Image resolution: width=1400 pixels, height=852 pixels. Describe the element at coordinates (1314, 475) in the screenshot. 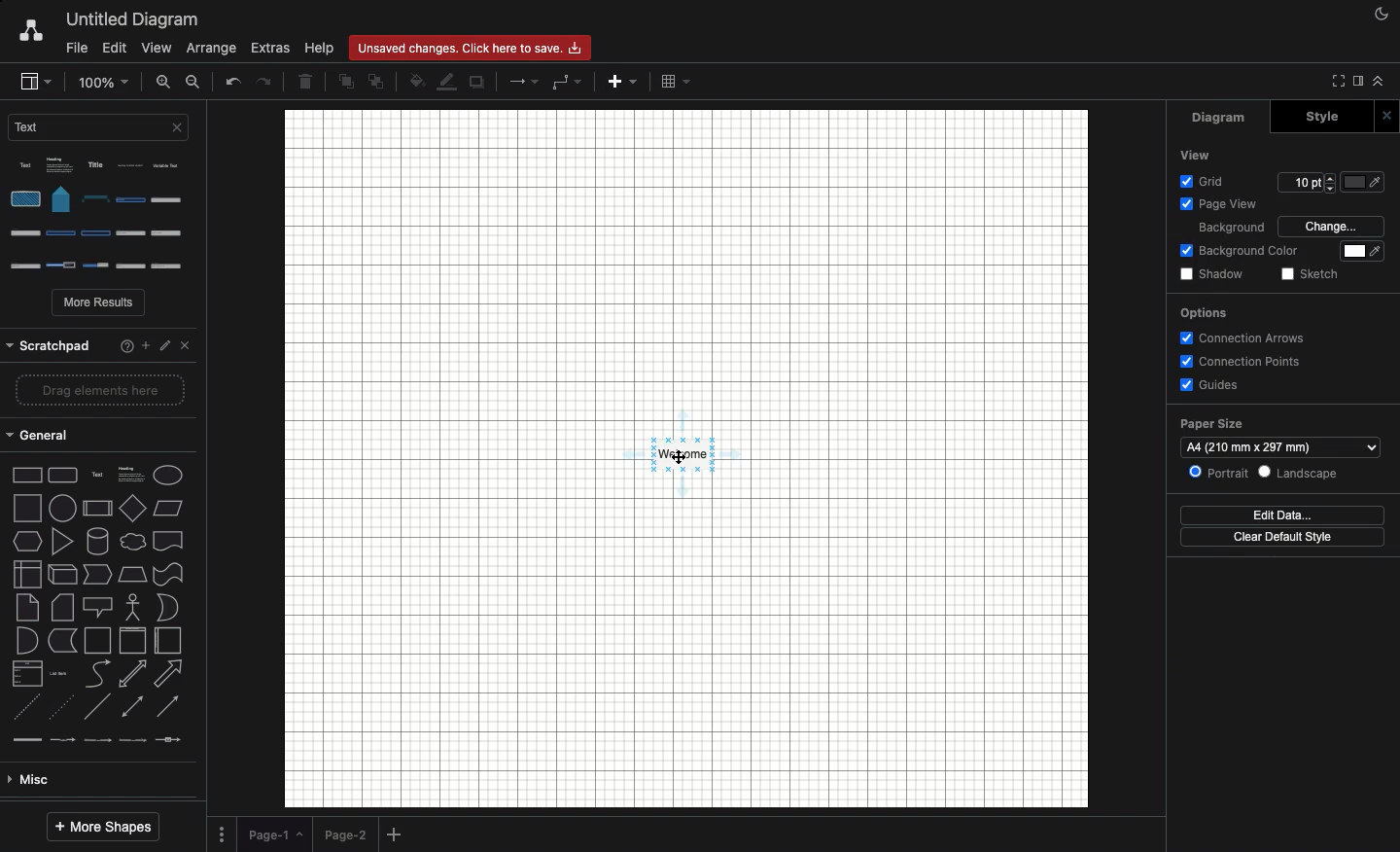

I see `` at that location.